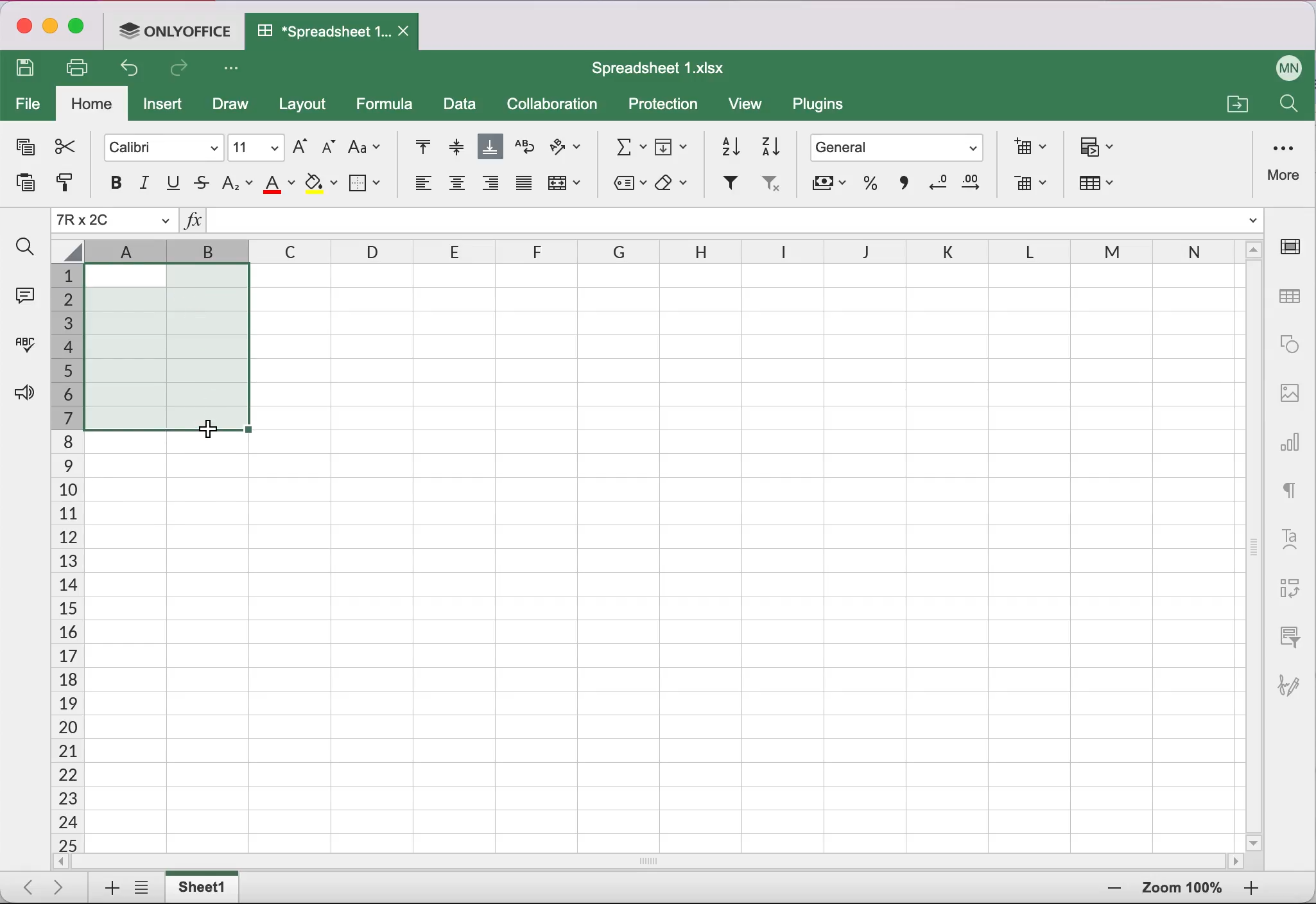  Describe the element at coordinates (777, 555) in the screenshot. I see `cells` at that location.